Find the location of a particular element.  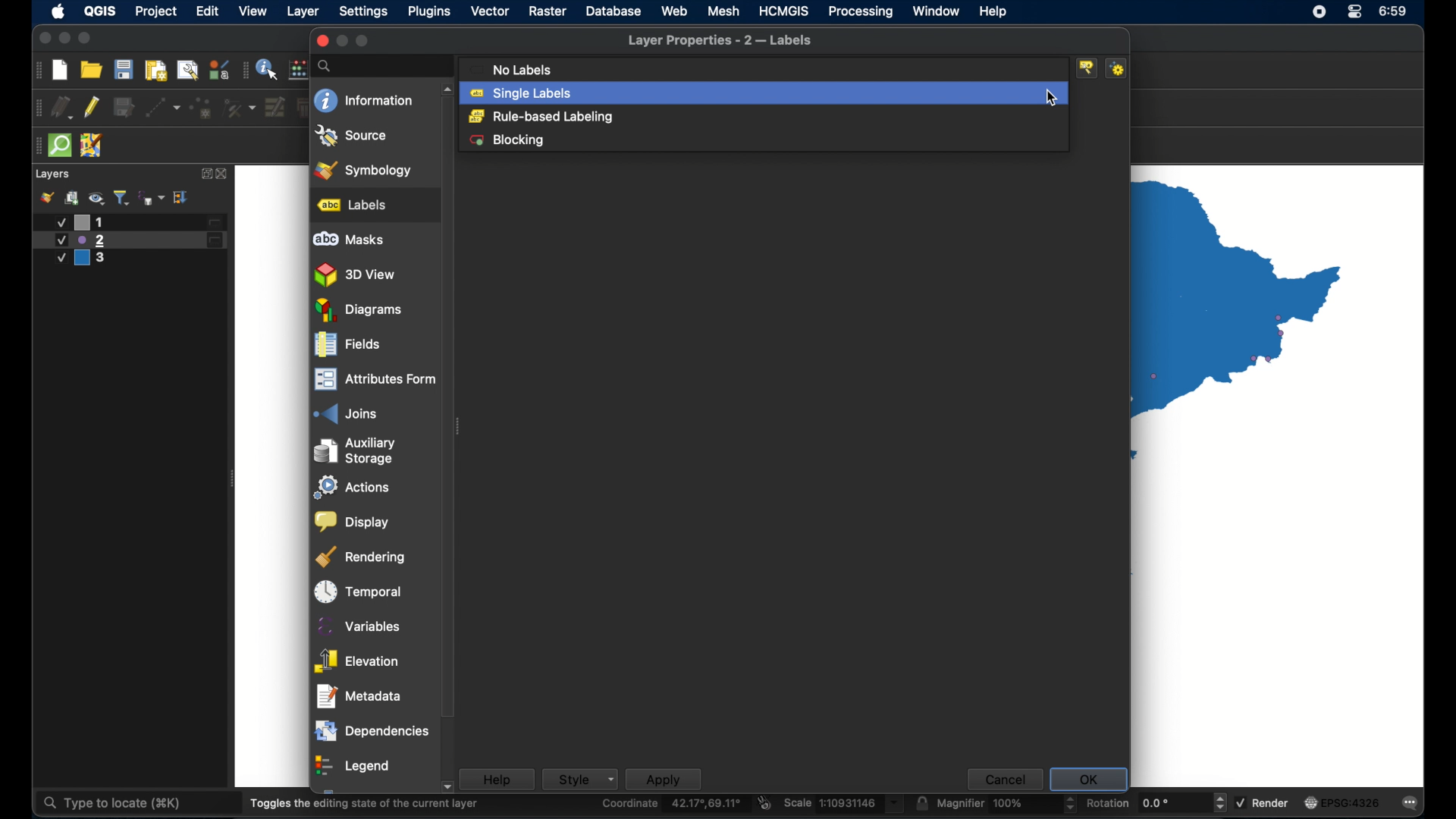

time is located at coordinates (1395, 12).